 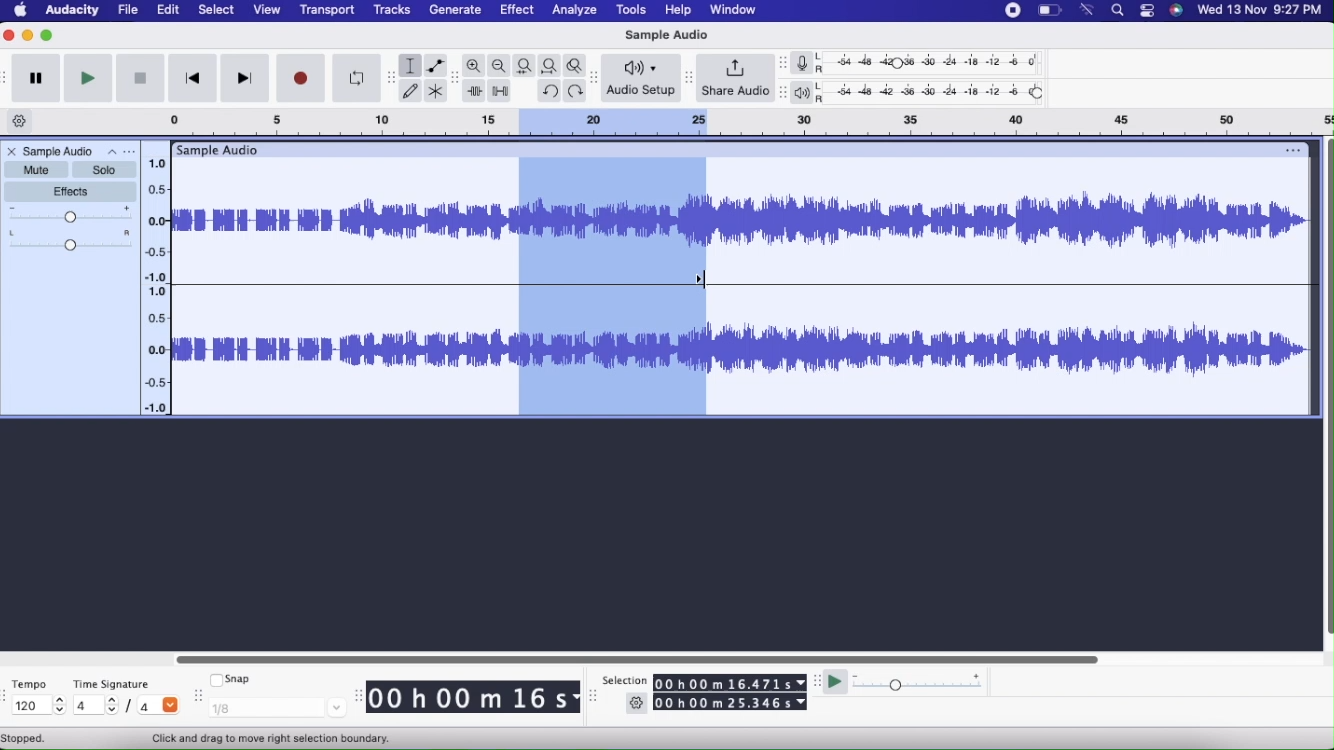 I want to click on Playback speed, so click(x=920, y=684).